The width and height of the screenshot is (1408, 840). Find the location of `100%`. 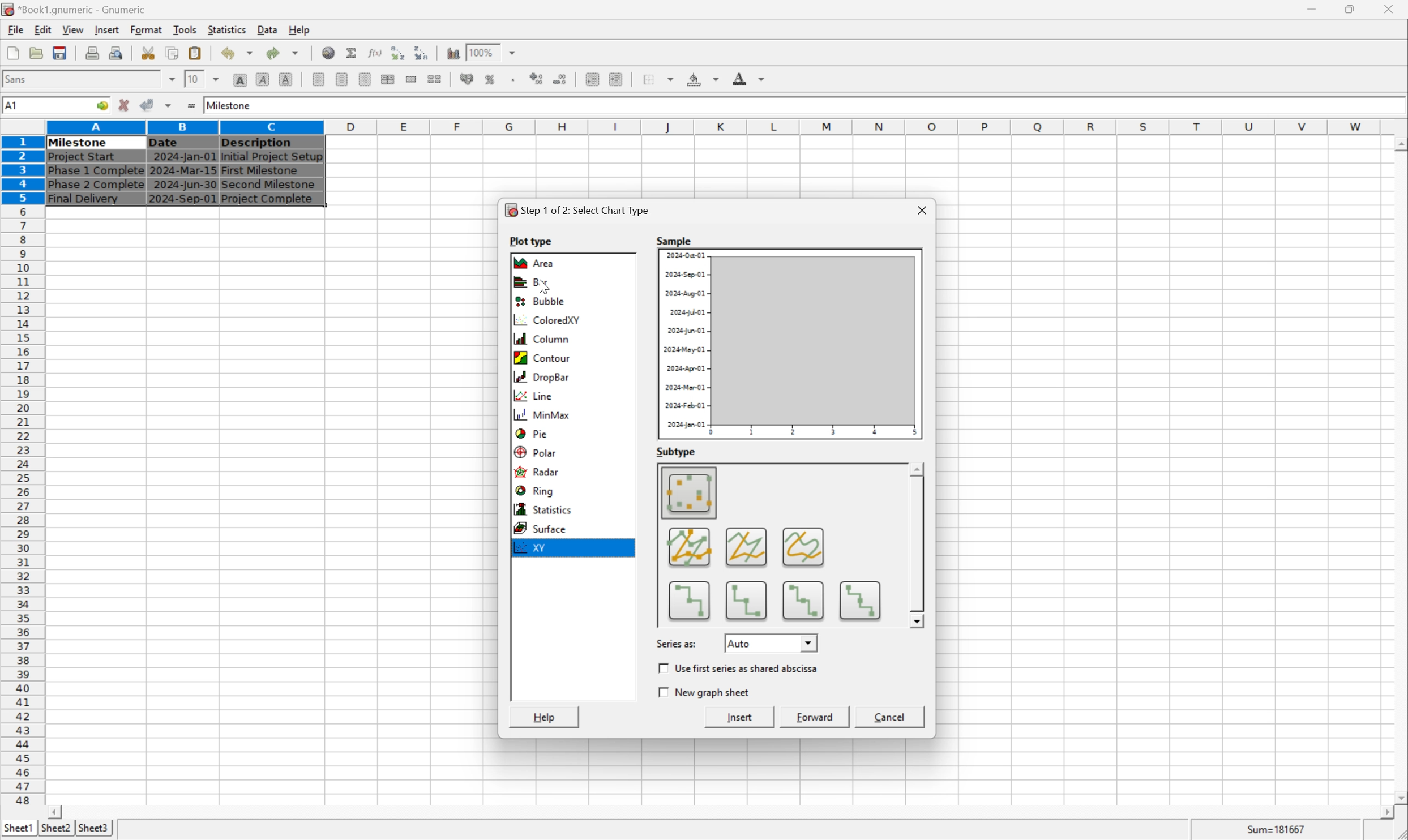

100% is located at coordinates (481, 50).